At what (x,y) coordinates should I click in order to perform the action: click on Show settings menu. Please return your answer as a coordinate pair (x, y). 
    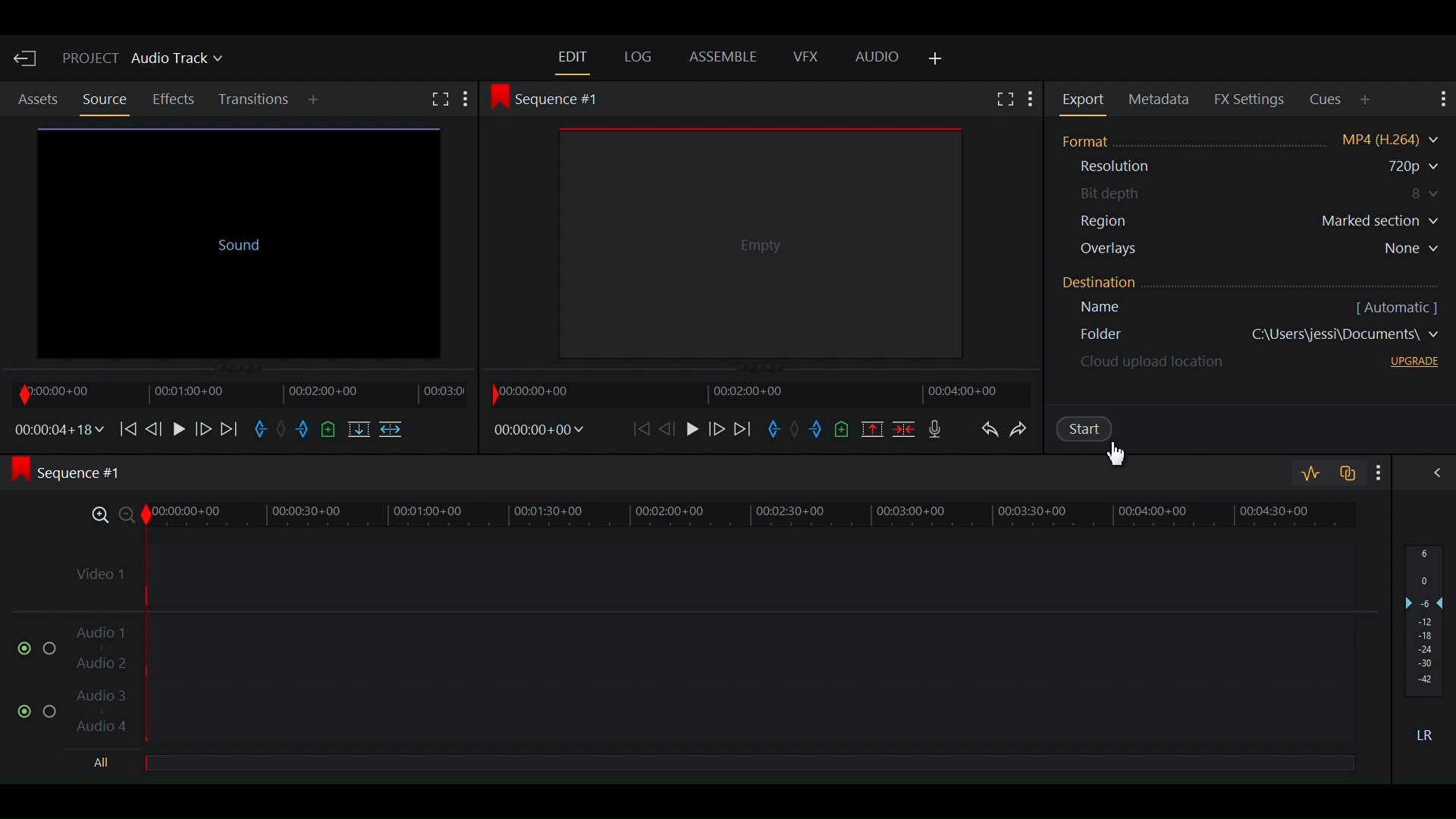
    Looking at the image, I should click on (1440, 99).